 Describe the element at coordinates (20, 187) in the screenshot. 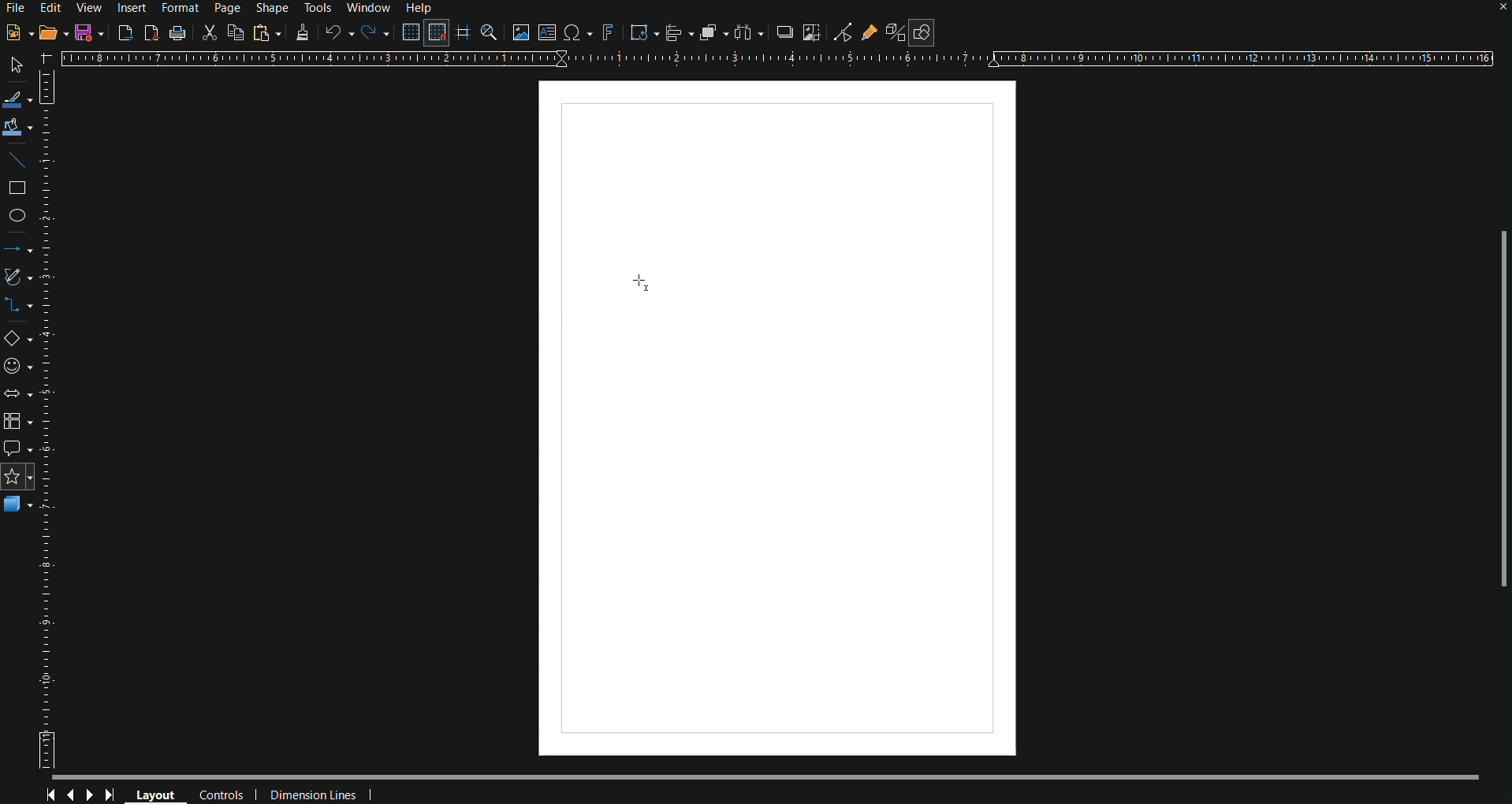

I see `Square` at that location.